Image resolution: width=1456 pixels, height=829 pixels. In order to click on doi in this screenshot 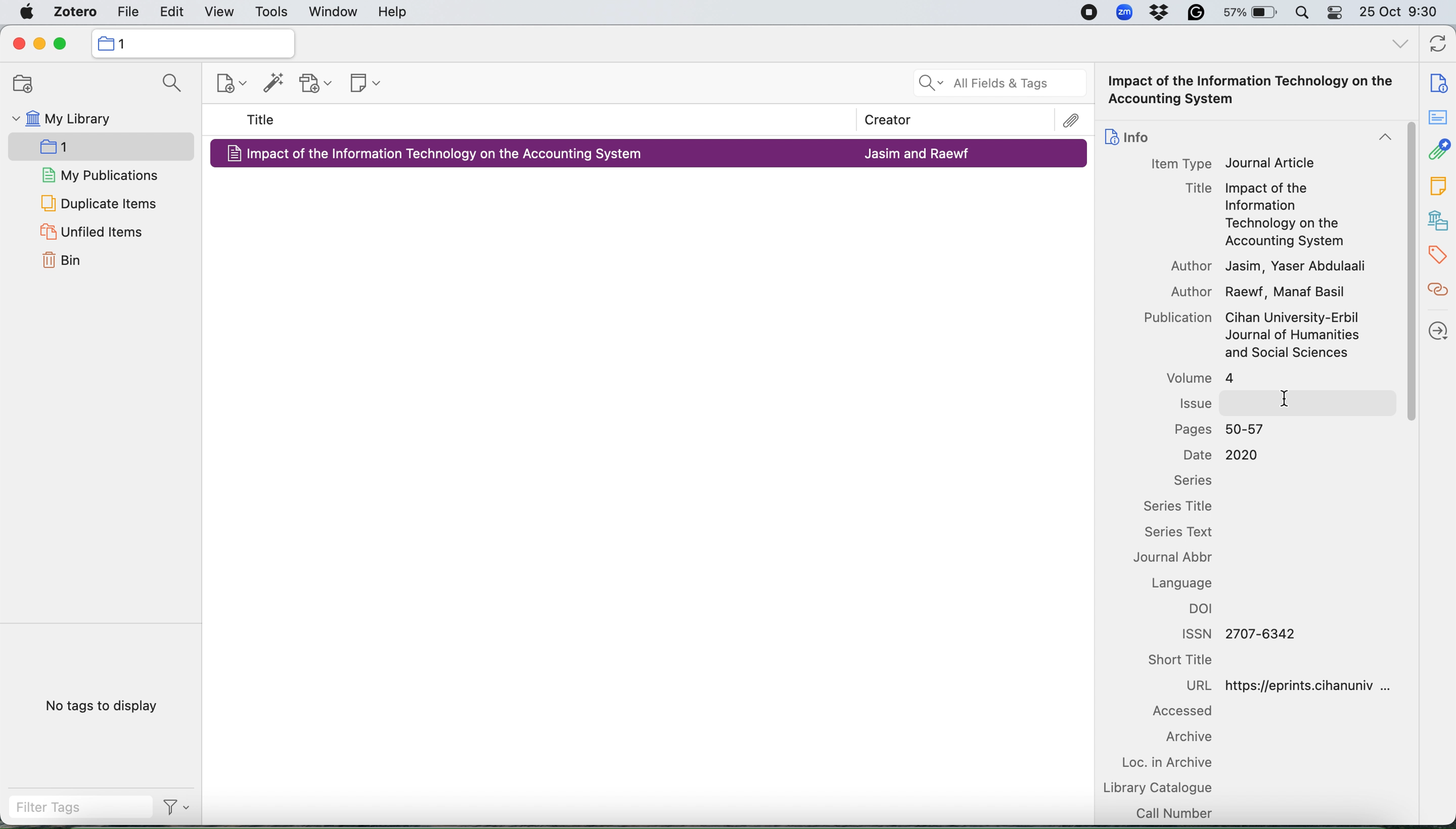, I will do `click(1206, 611)`.